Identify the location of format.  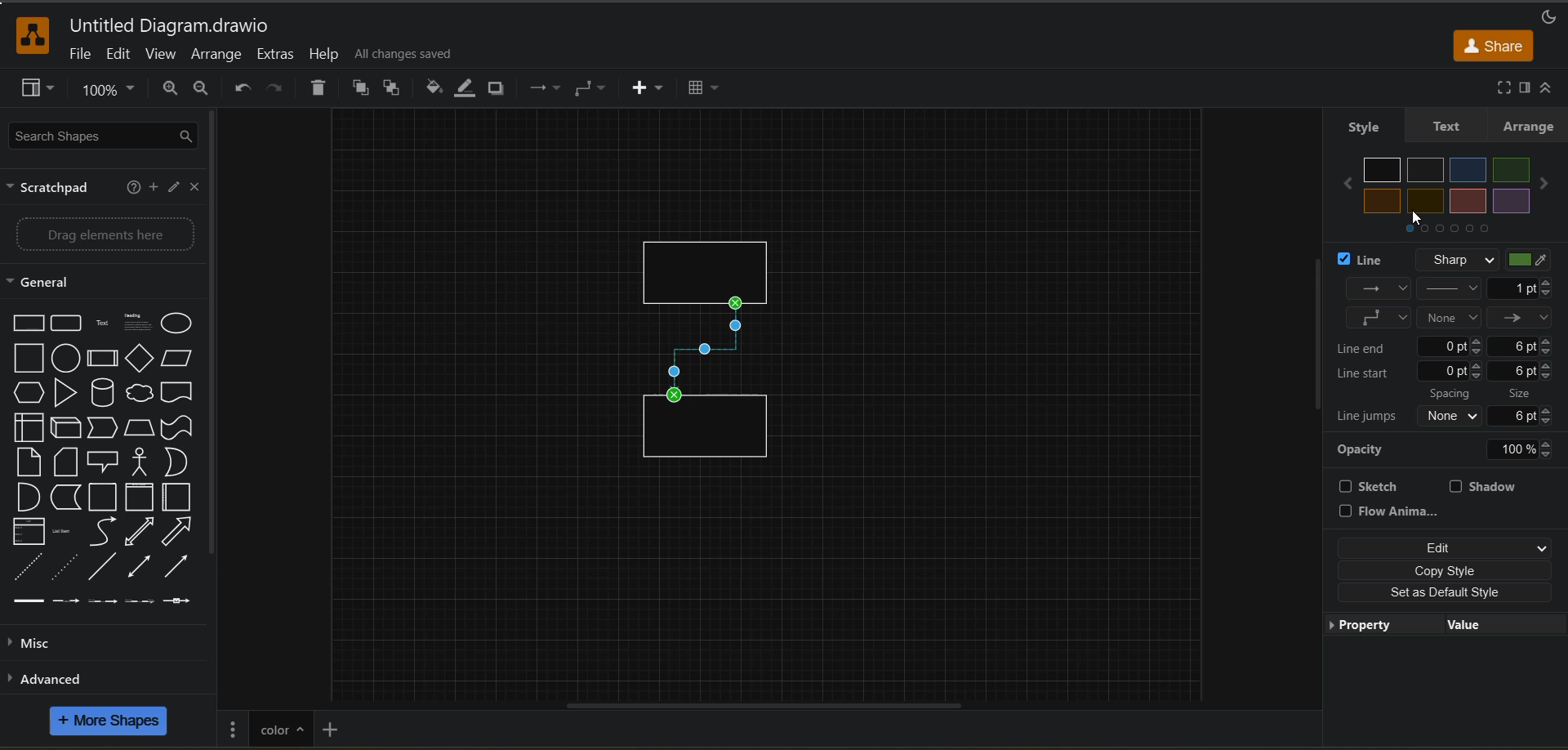
(1523, 88).